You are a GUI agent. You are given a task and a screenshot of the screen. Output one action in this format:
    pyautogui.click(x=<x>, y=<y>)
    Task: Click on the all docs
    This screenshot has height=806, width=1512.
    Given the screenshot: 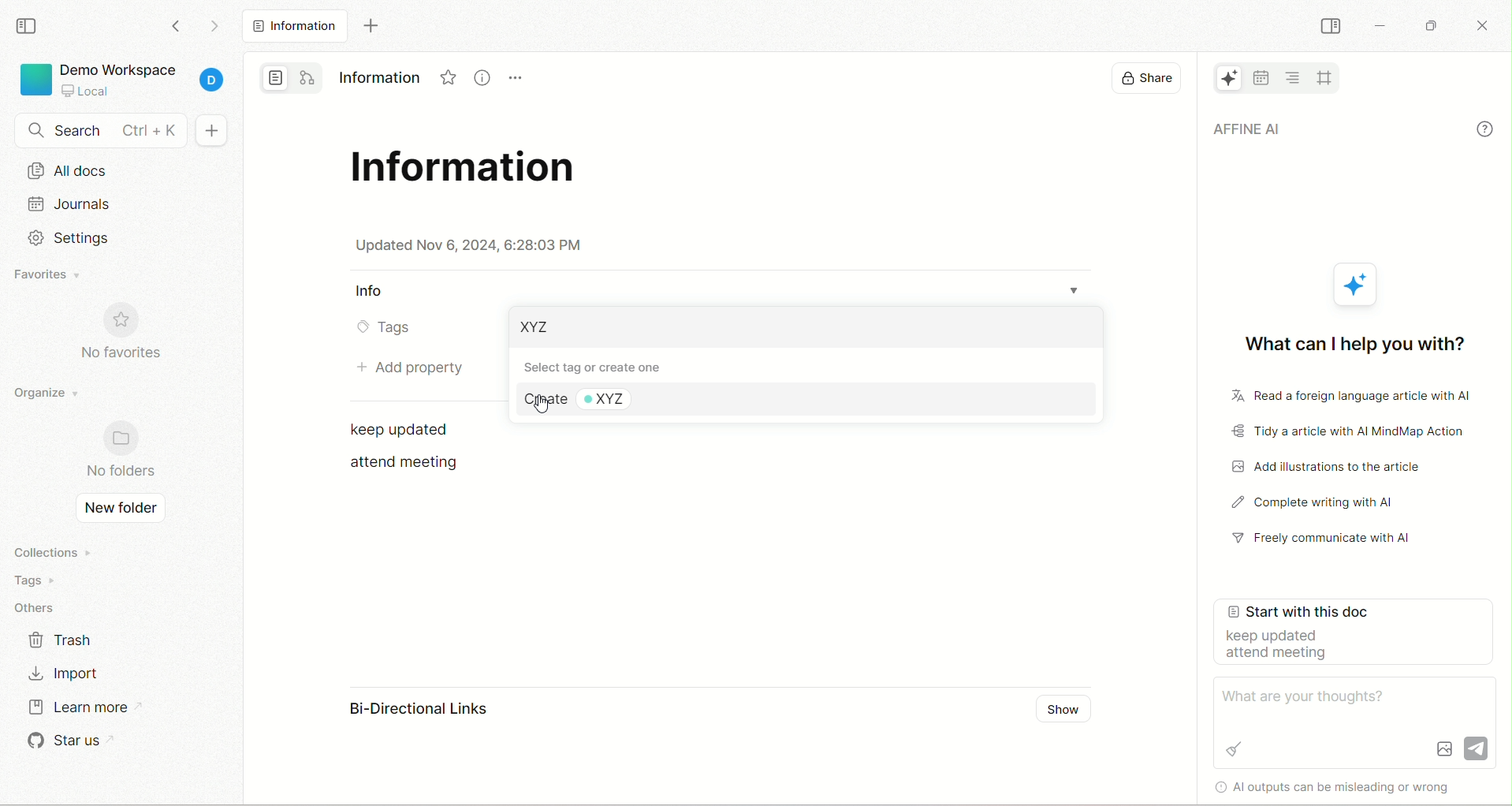 What is the action you would take?
    pyautogui.click(x=120, y=174)
    